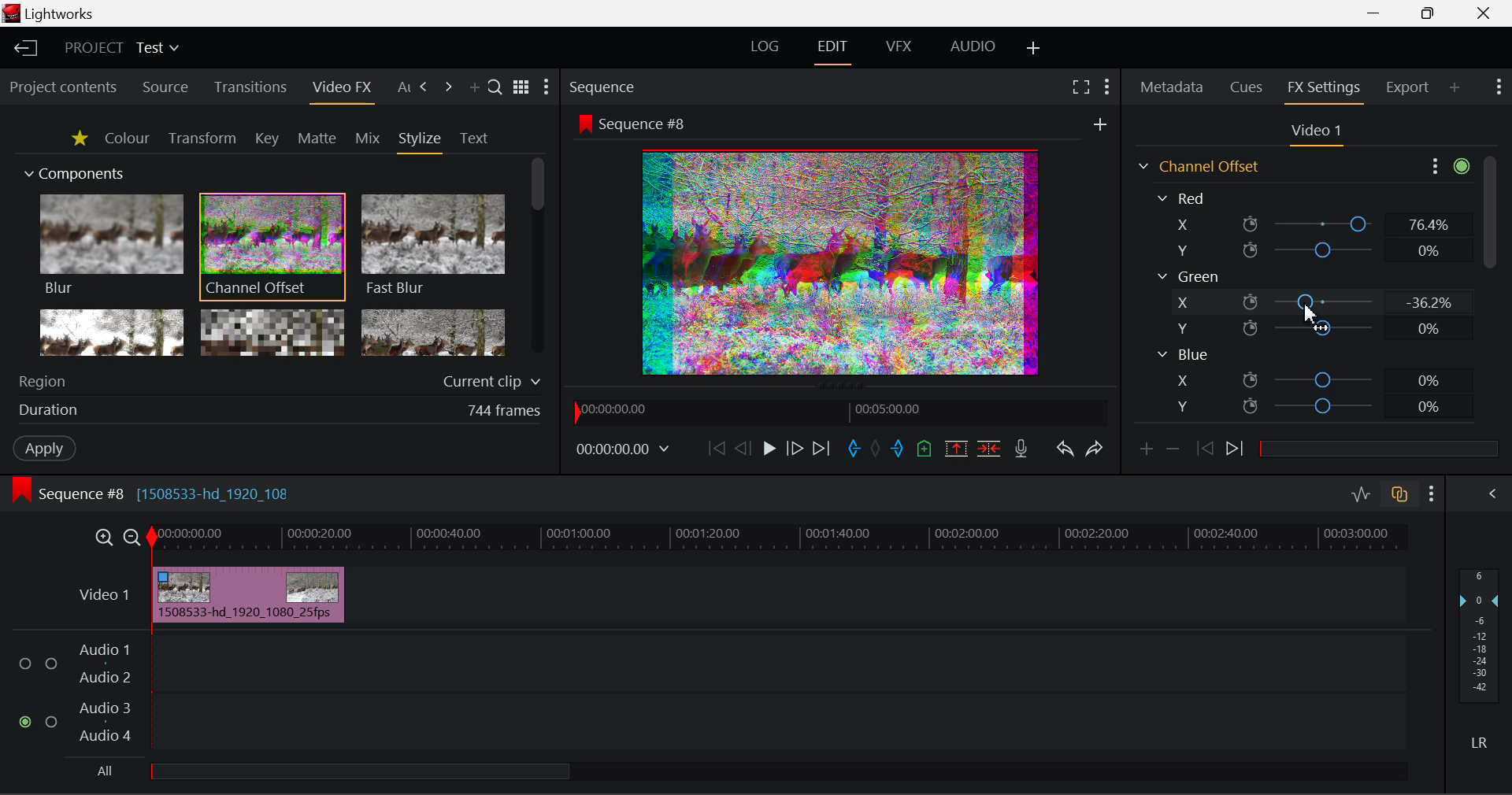 Image resolution: width=1512 pixels, height=795 pixels. I want to click on Scroll Bar, so click(535, 256).